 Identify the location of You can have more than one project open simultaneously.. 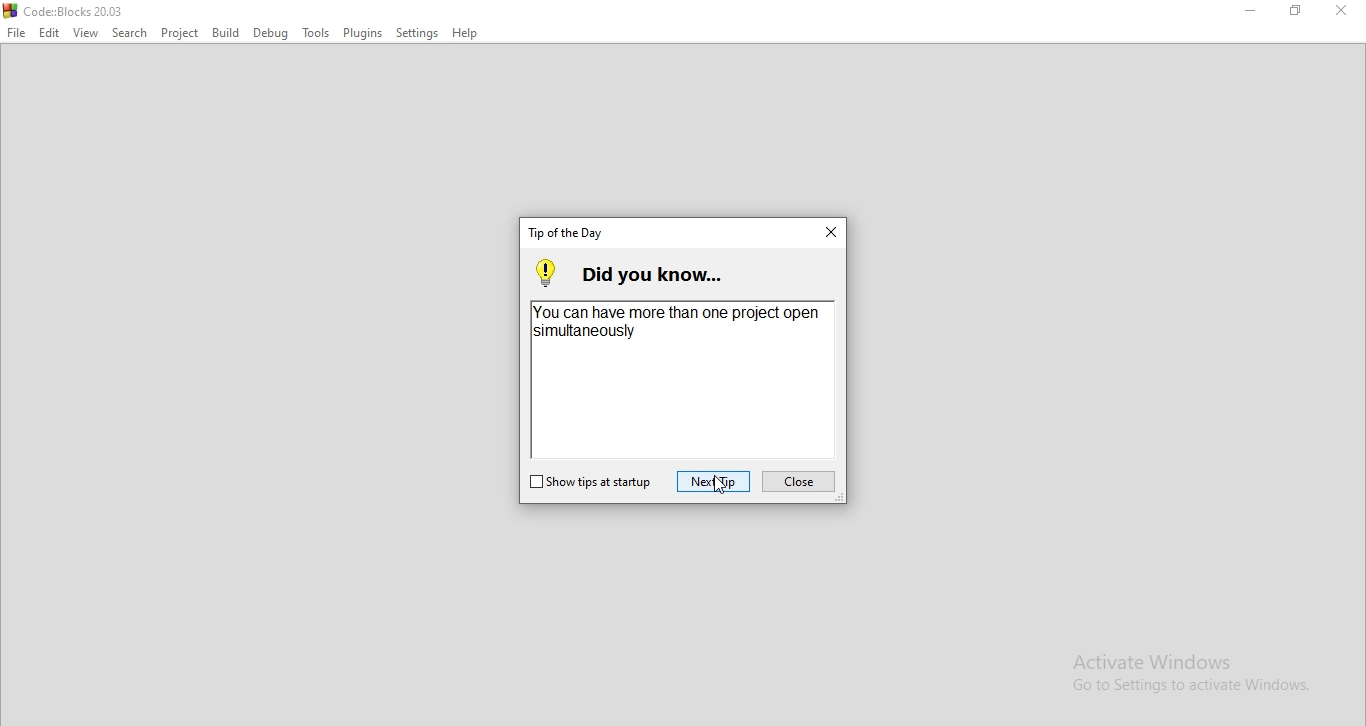
(681, 381).